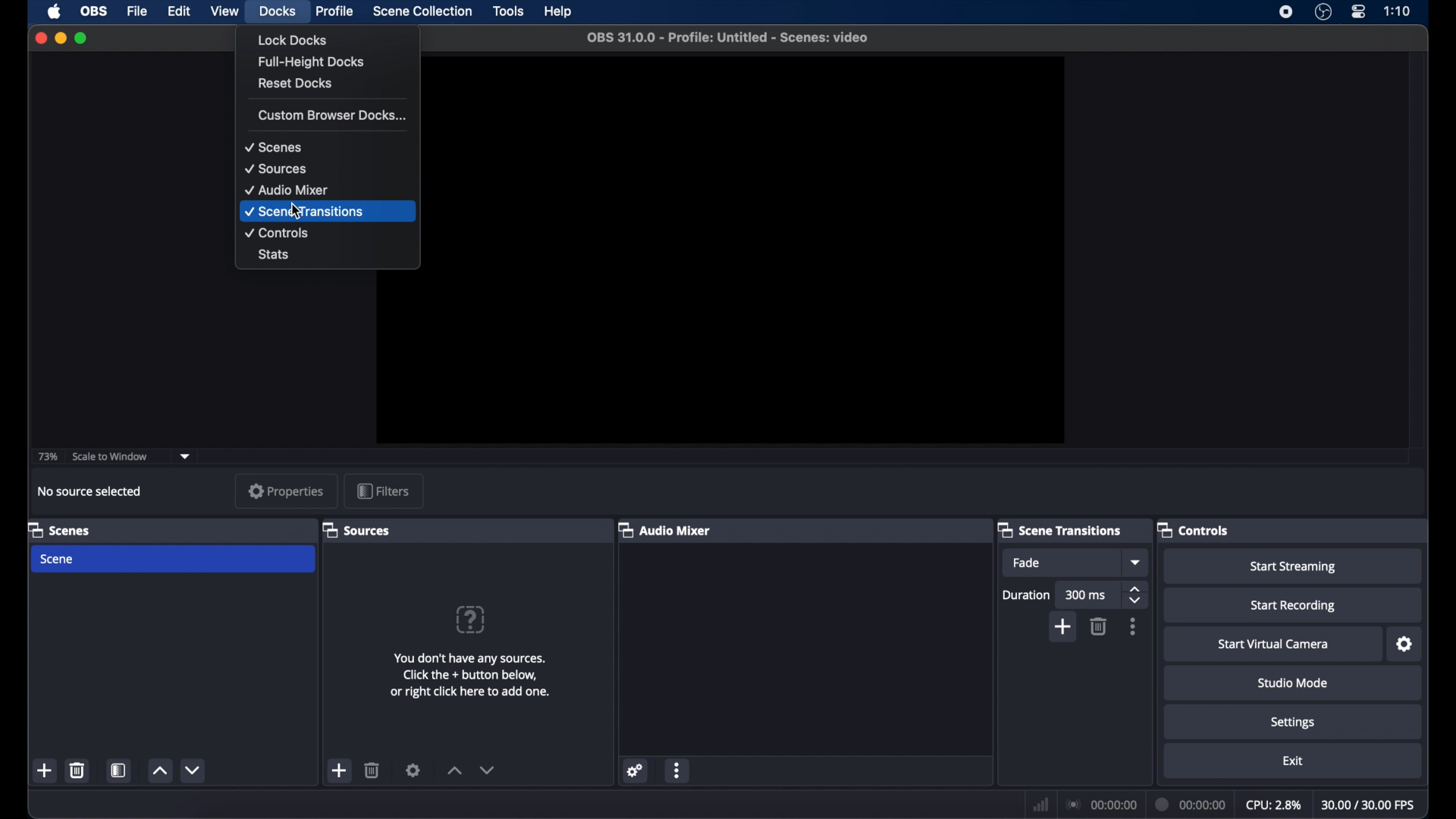 This screenshot has height=819, width=1456. Describe the element at coordinates (1087, 596) in the screenshot. I see `300 ms` at that location.